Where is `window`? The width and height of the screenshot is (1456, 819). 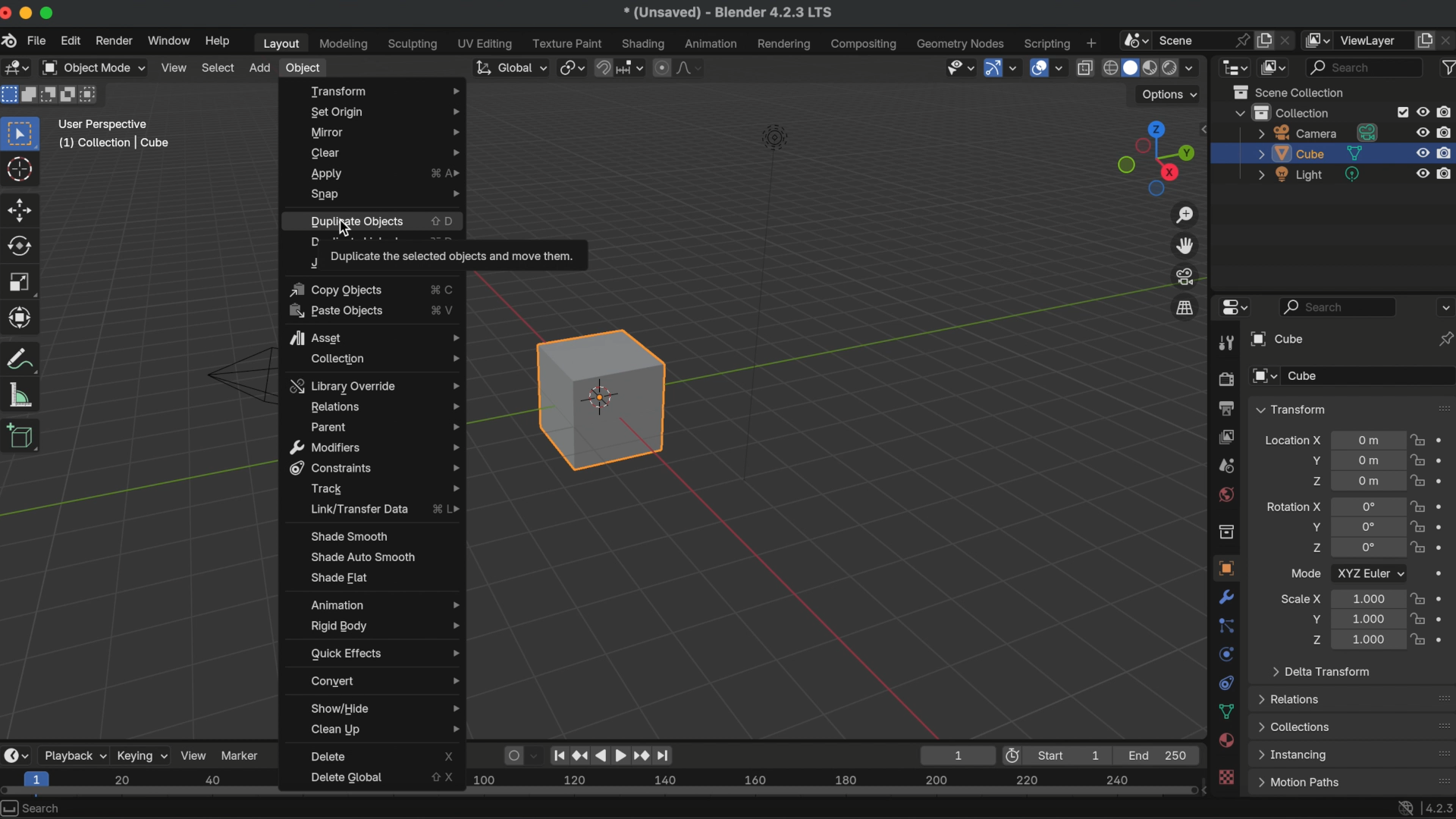
window is located at coordinates (168, 40).